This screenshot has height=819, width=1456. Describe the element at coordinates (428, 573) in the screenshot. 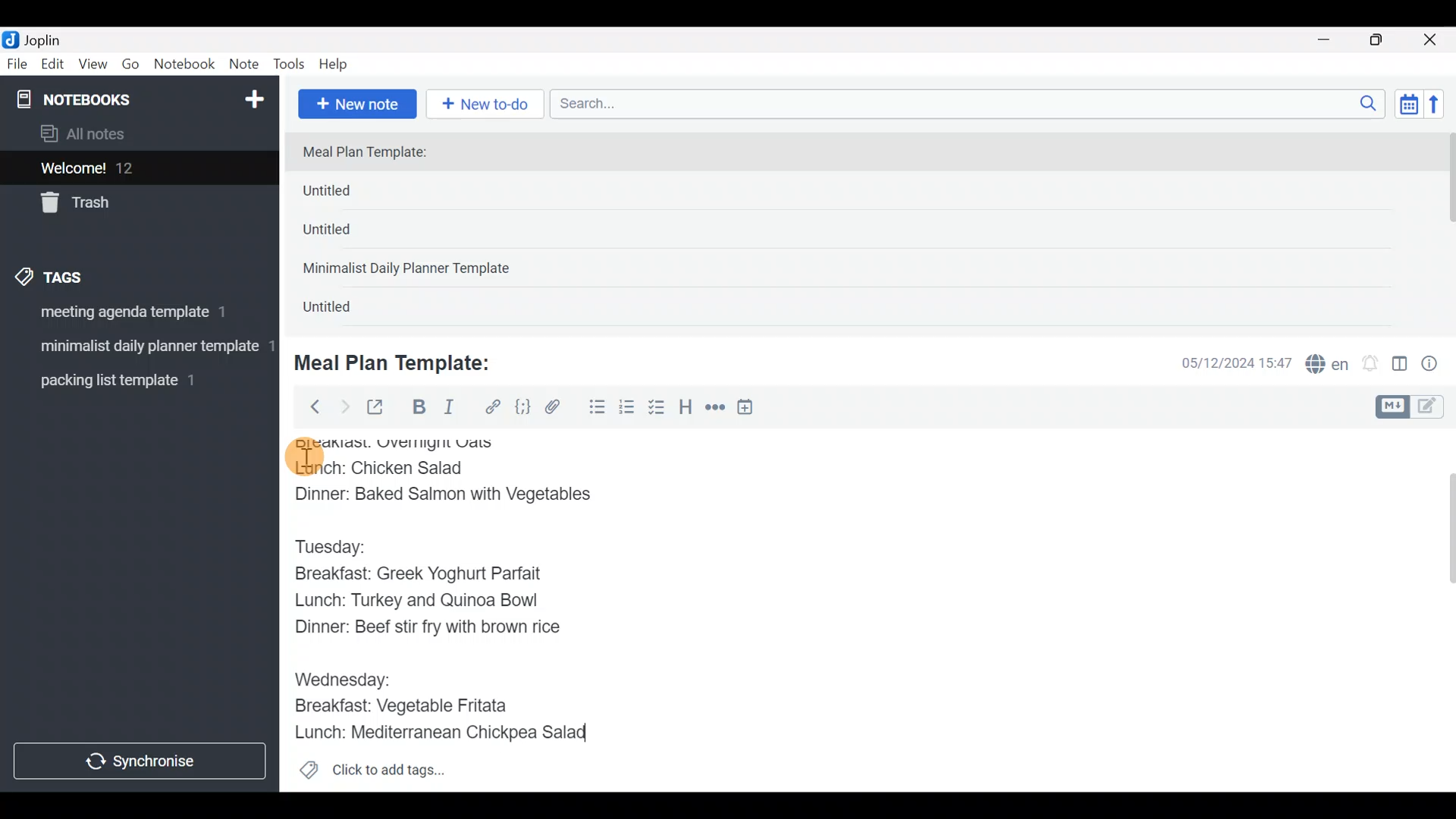

I see `Breakfast: Greek Yoghurt Parfait` at that location.